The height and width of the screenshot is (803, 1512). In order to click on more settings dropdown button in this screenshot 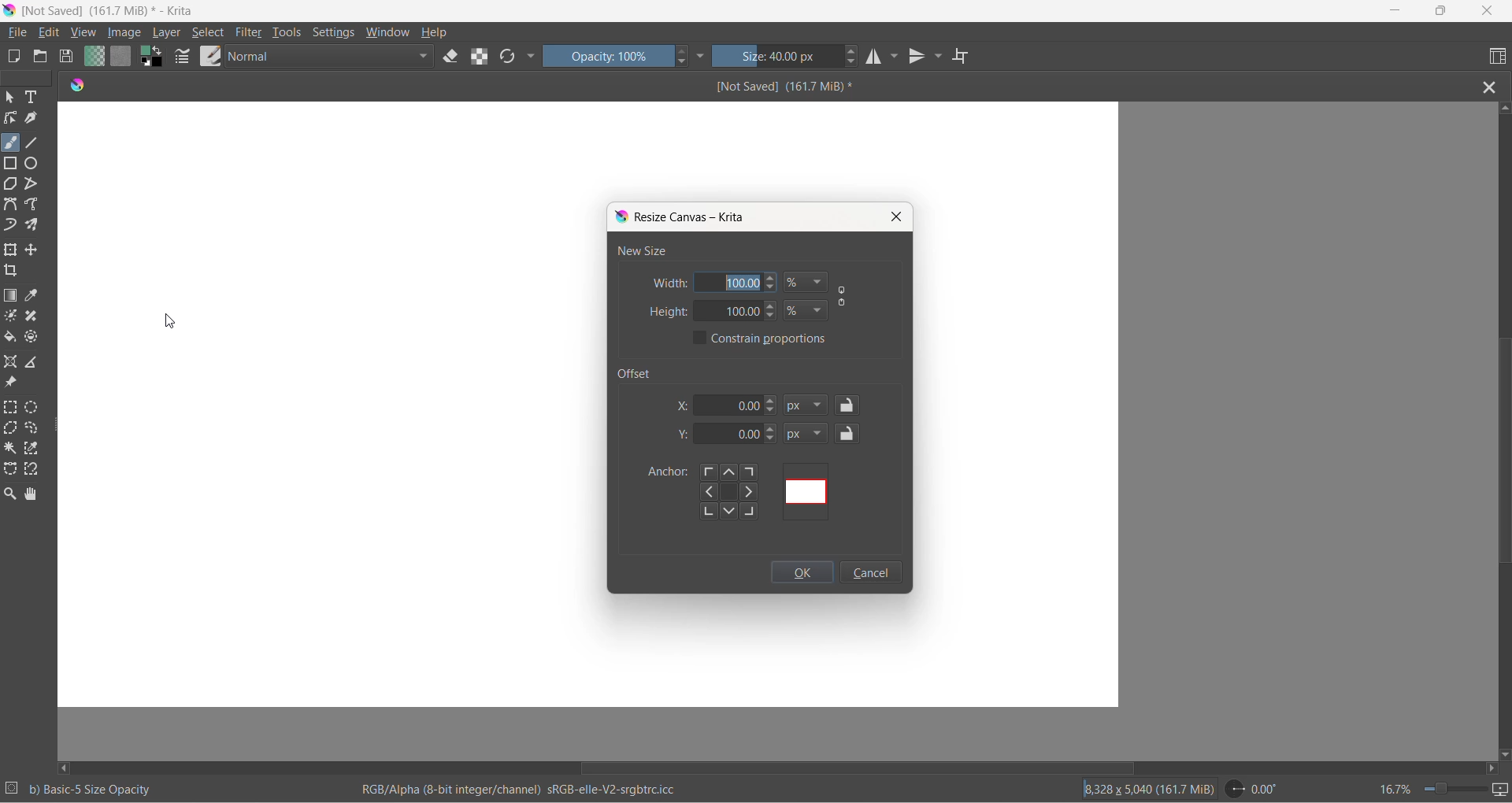, I will do `click(702, 56)`.